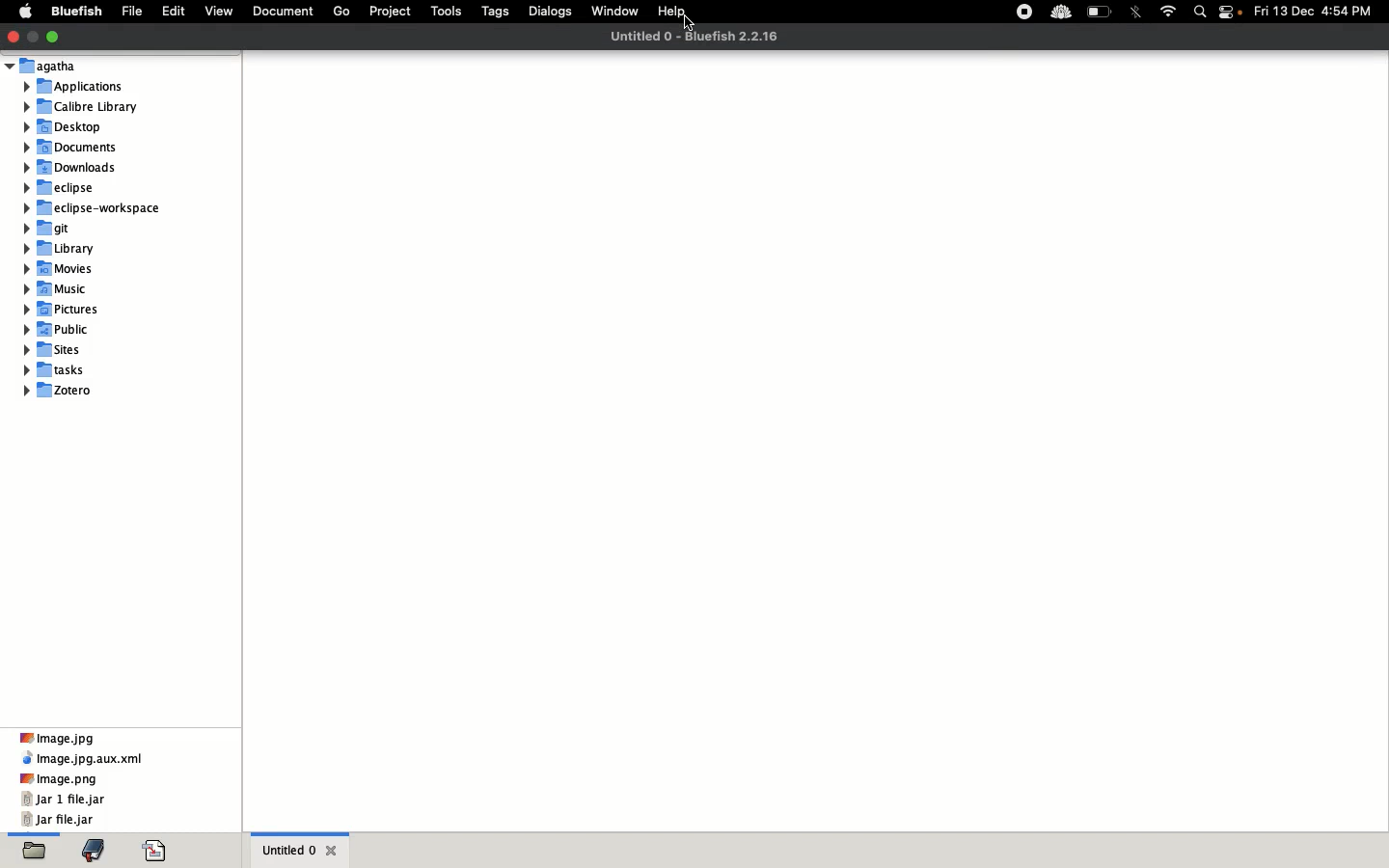 The image size is (1389, 868). What do you see at coordinates (66, 369) in the screenshot?
I see `tasks` at bounding box center [66, 369].